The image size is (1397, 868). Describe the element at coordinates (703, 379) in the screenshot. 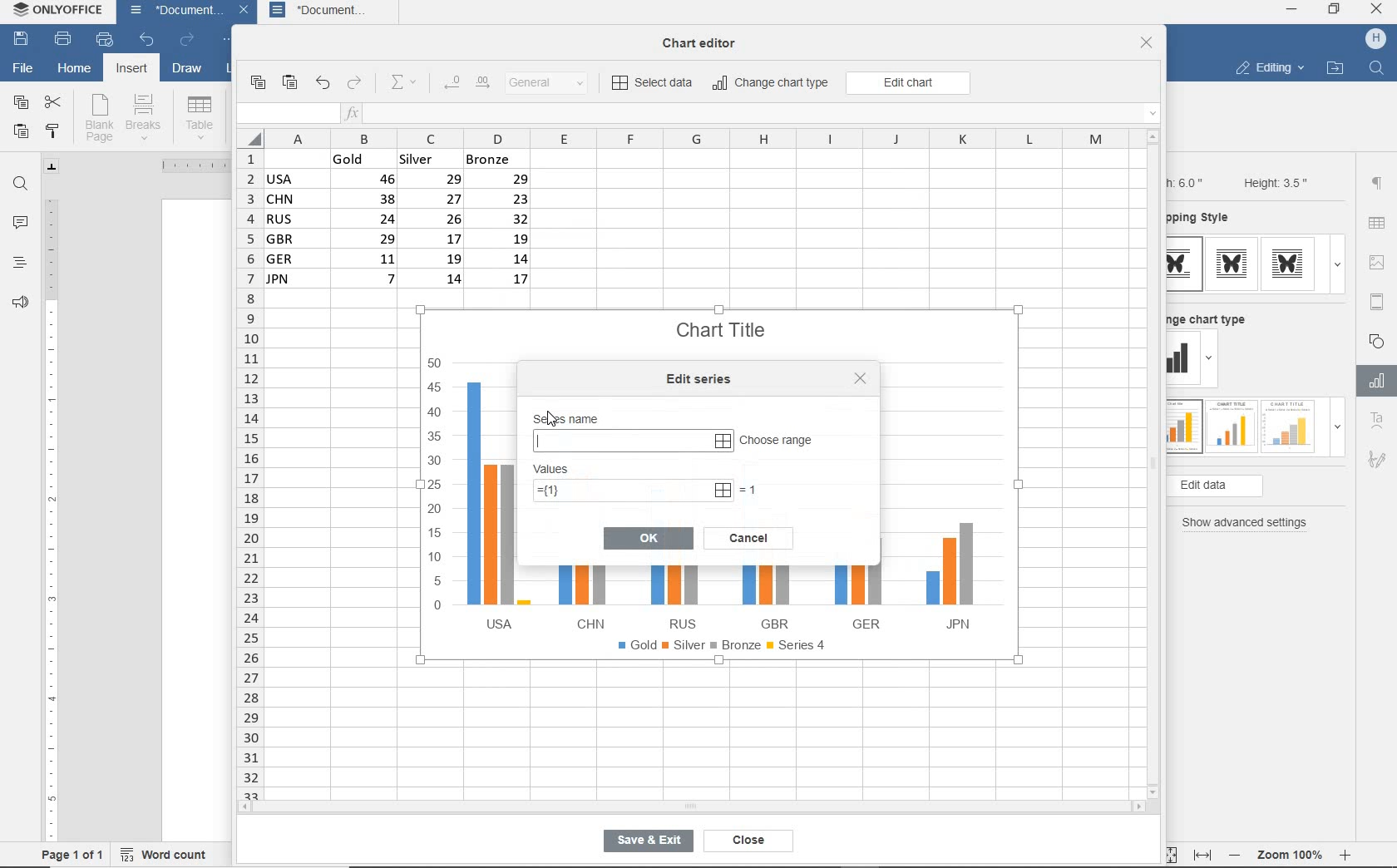

I see `edit series` at that location.